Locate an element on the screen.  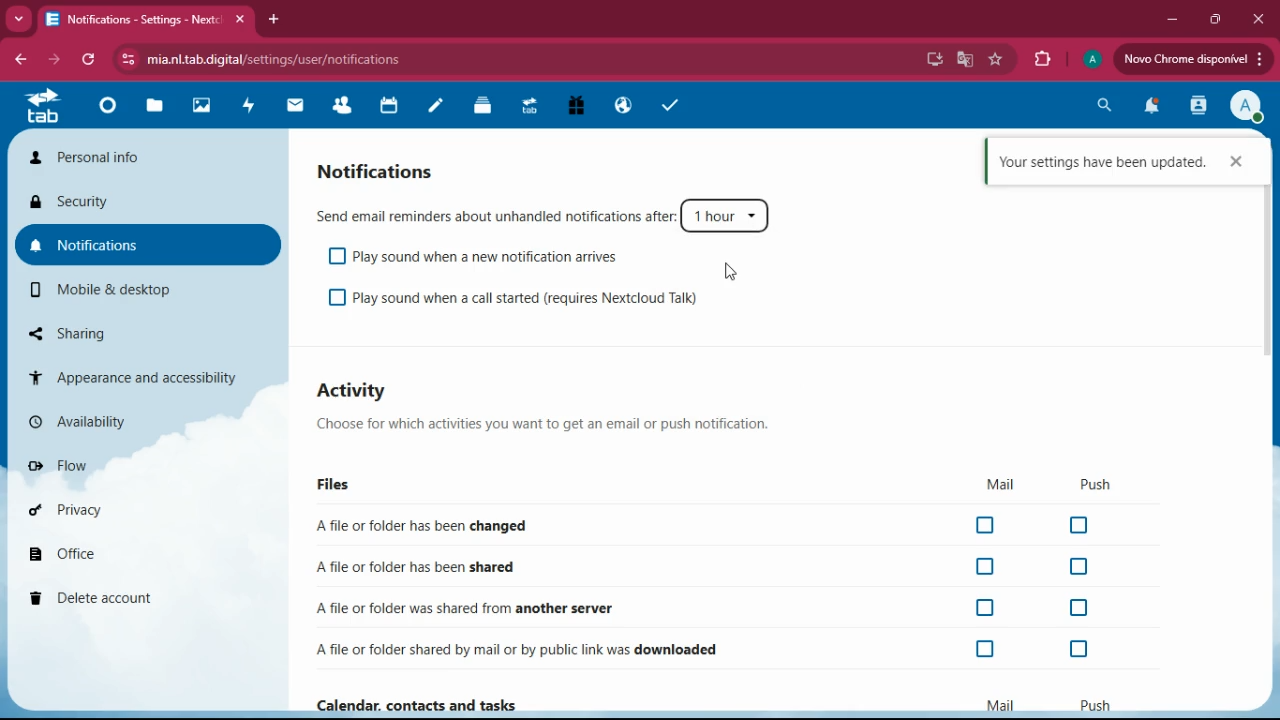
profile is located at coordinates (1092, 62).